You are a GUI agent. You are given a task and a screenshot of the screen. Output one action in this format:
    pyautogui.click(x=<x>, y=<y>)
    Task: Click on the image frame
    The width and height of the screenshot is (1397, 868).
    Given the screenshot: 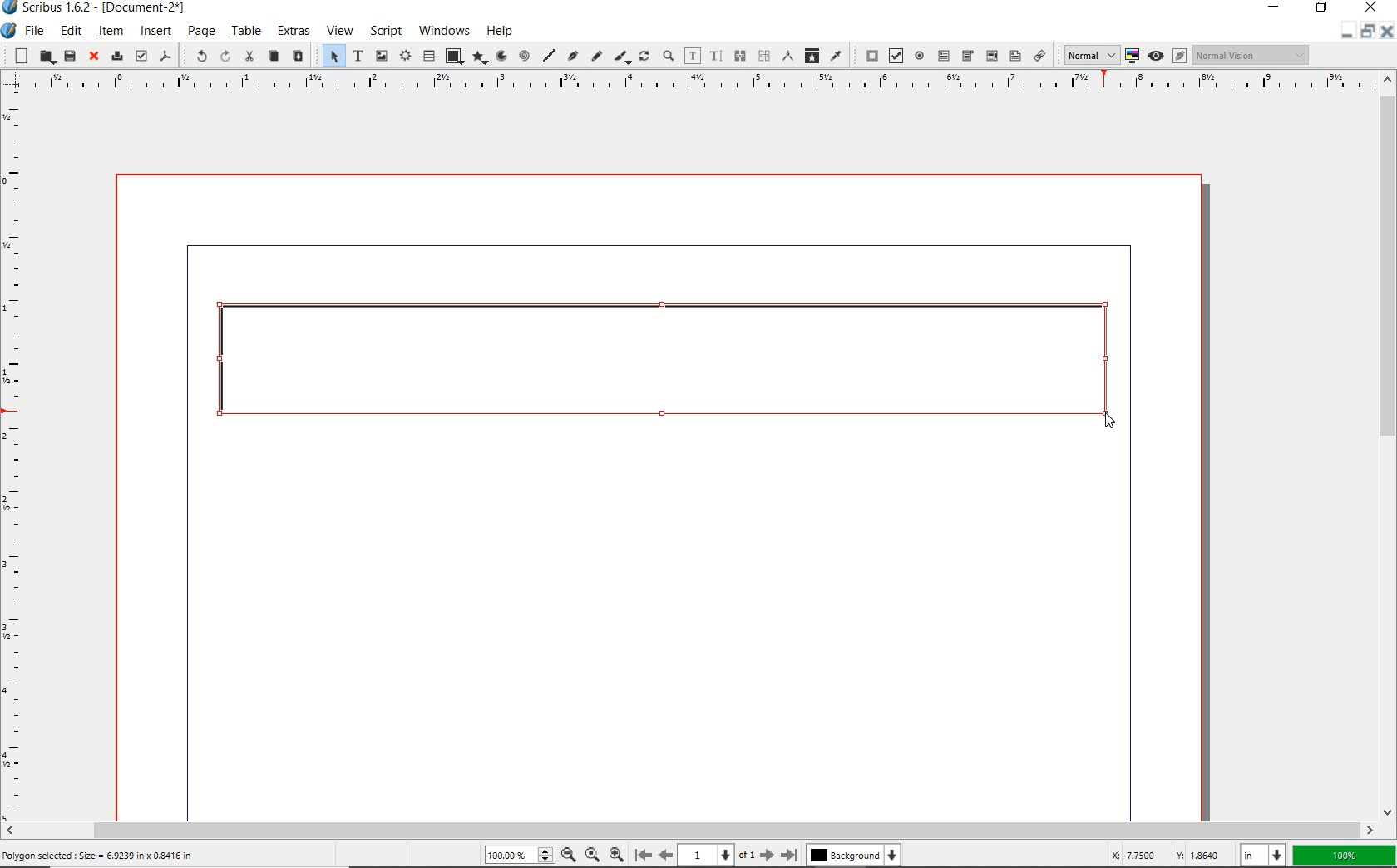 What is the action you would take?
    pyautogui.click(x=381, y=56)
    